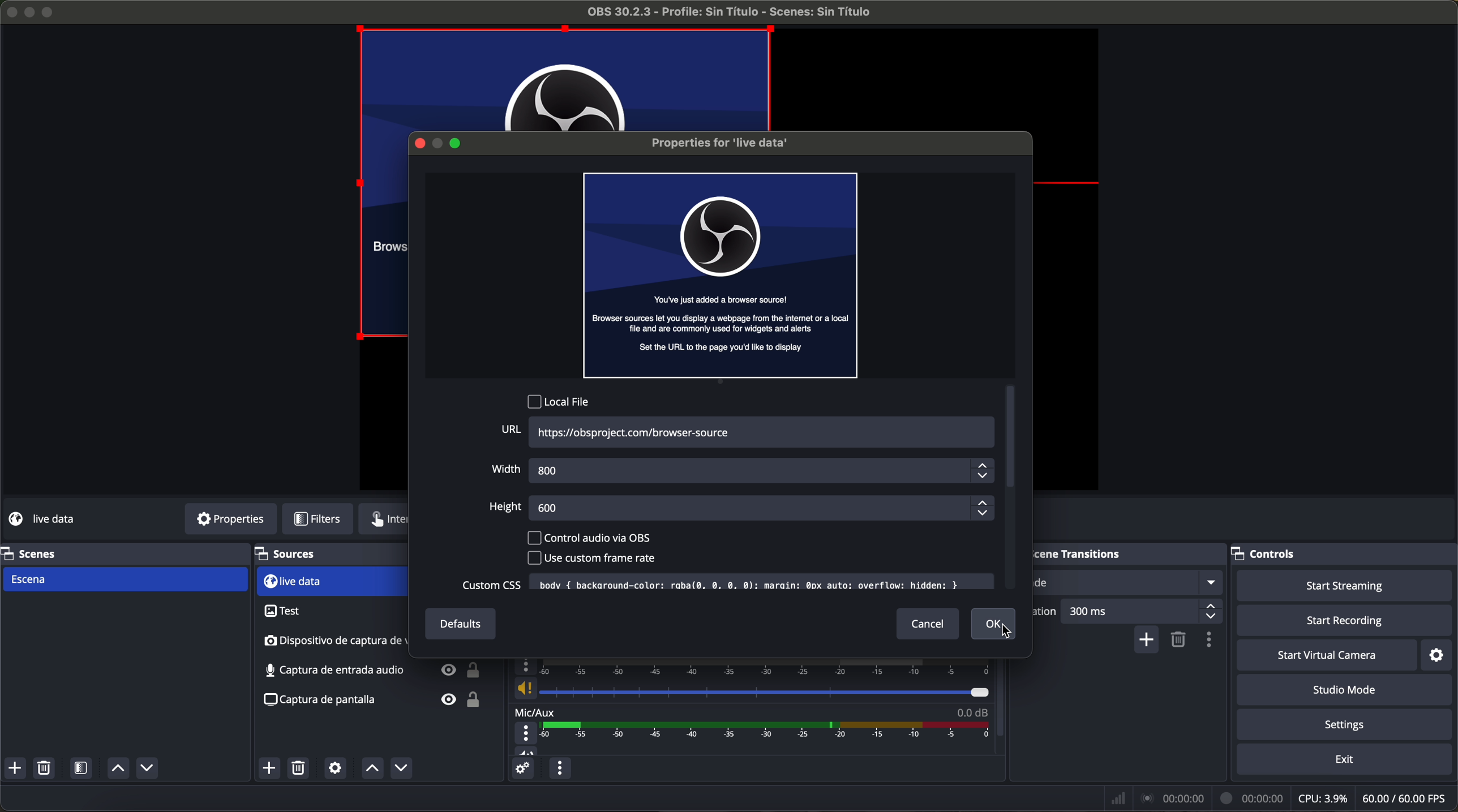 This screenshot has height=812, width=1458. I want to click on properties, so click(232, 518).